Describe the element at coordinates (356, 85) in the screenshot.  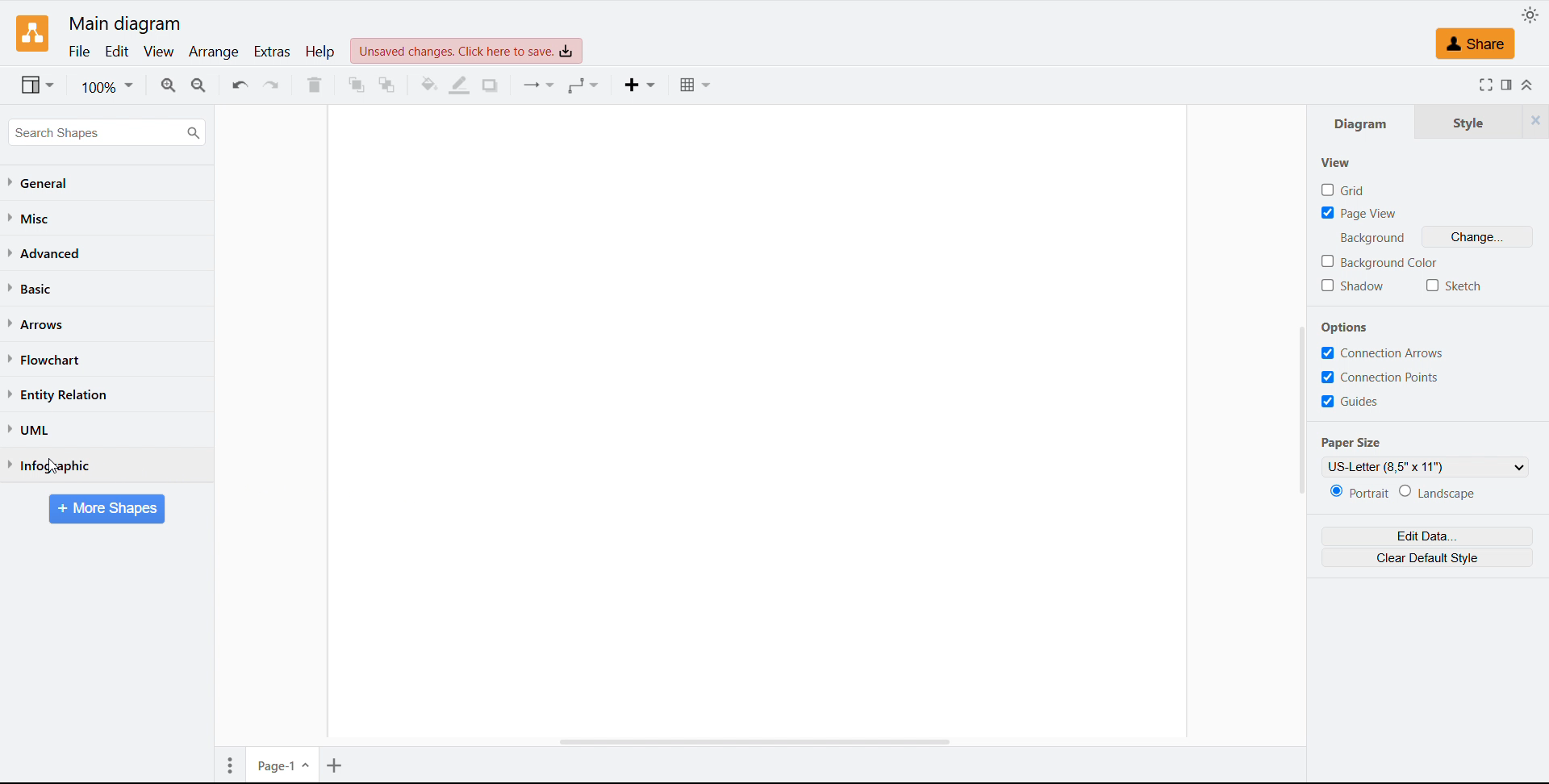
I see `To front ` at that location.